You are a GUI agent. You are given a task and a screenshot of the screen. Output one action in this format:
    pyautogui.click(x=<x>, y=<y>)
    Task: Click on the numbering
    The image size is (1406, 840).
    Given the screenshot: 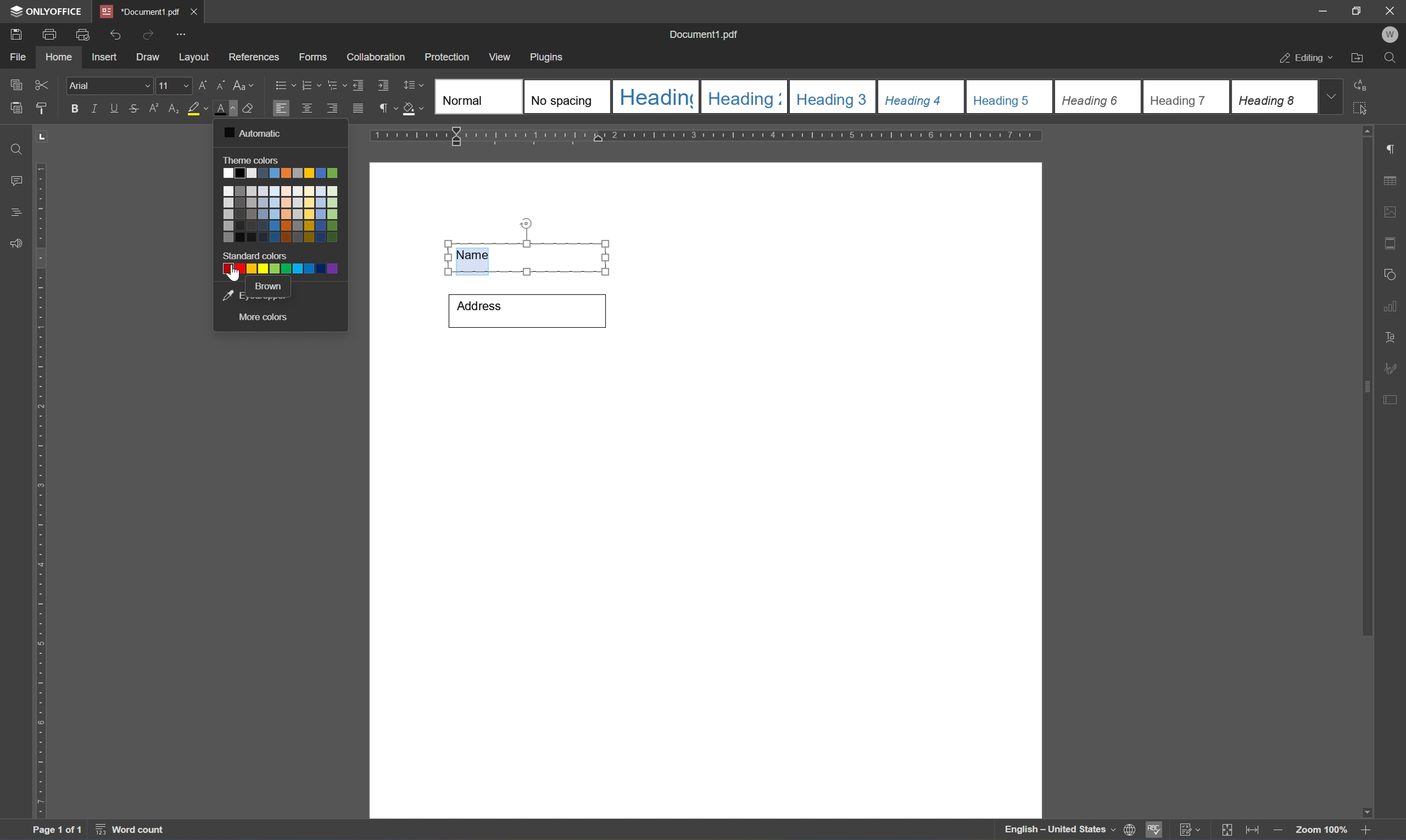 What is the action you would take?
    pyautogui.click(x=311, y=85)
    